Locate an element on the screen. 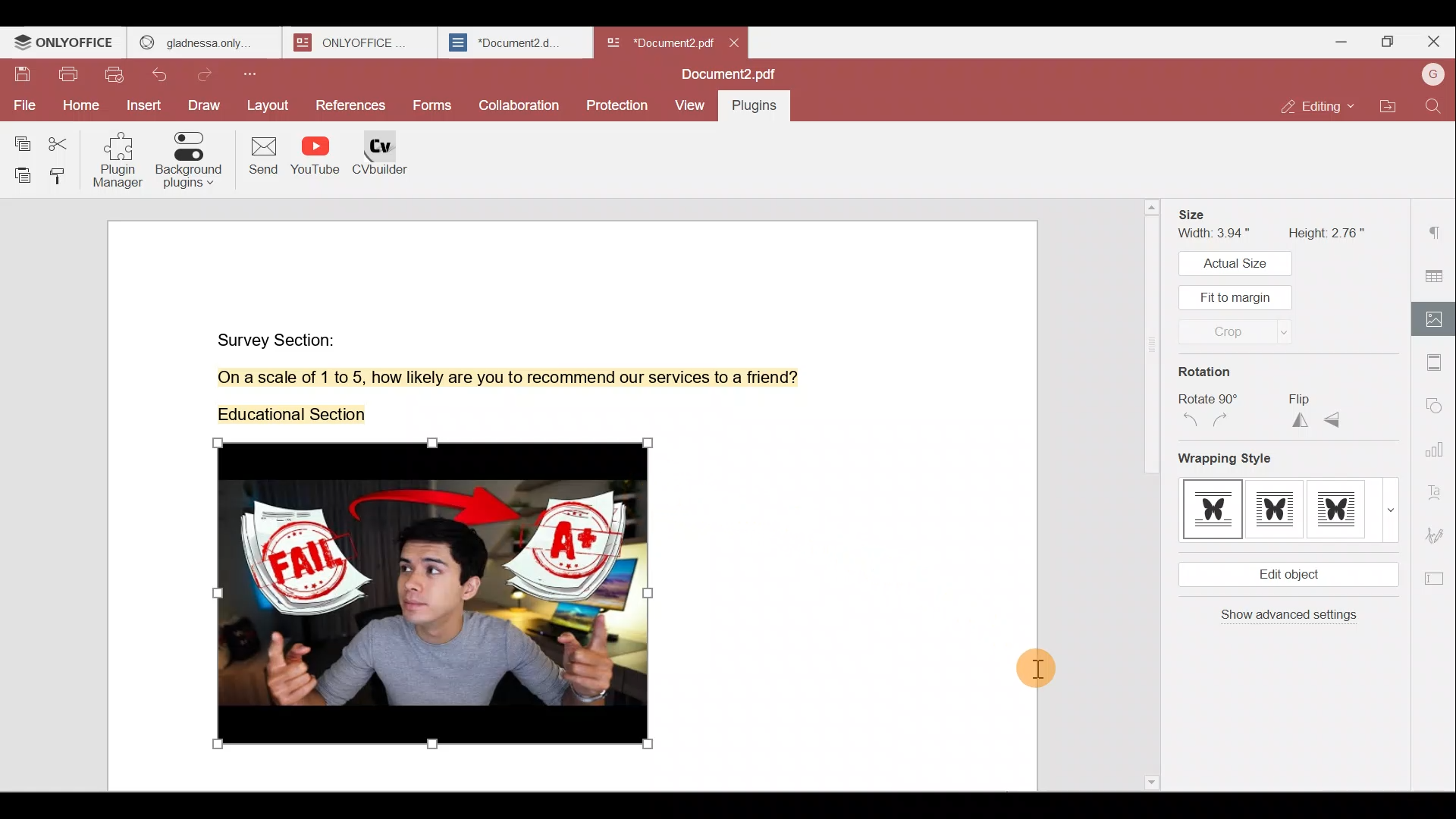 Image resolution: width=1456 pixels, height=819 pixels. Actual size is located at coordinates (1241, 265).